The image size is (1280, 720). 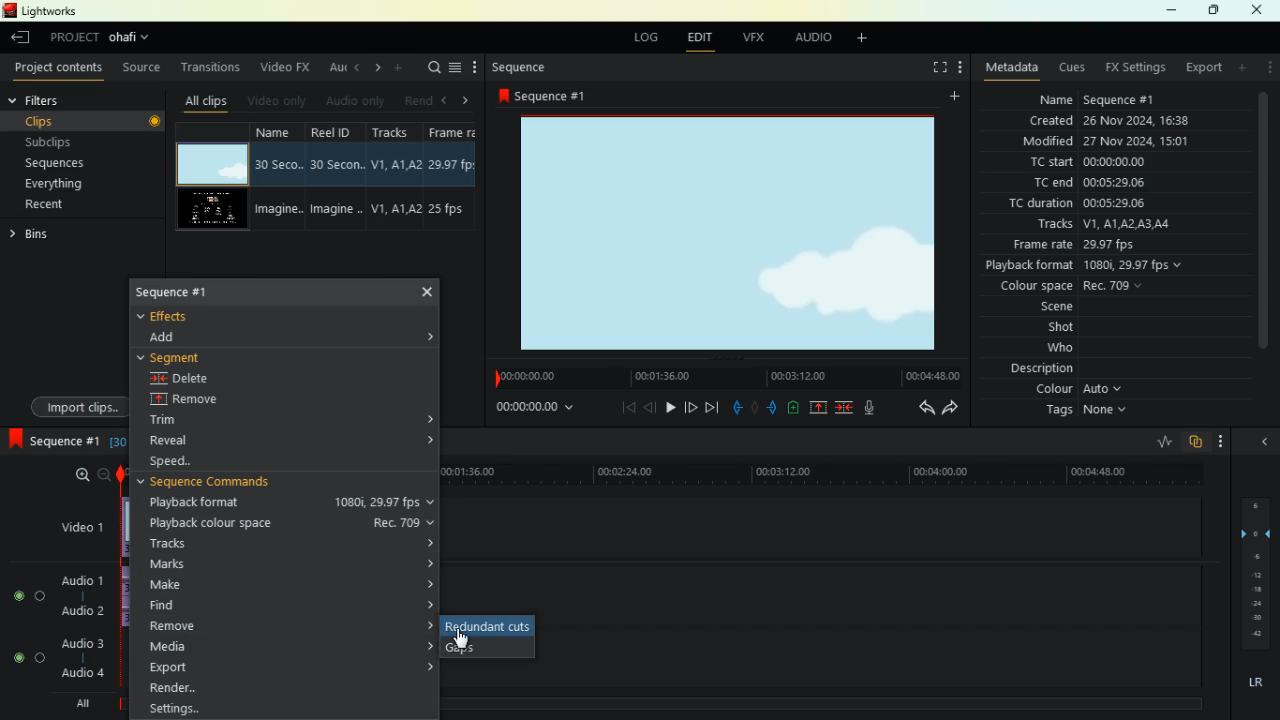 What do you see at coordinates (828, 473) in the screenshot?
I see `timeline` at bounding box center [828, 473].